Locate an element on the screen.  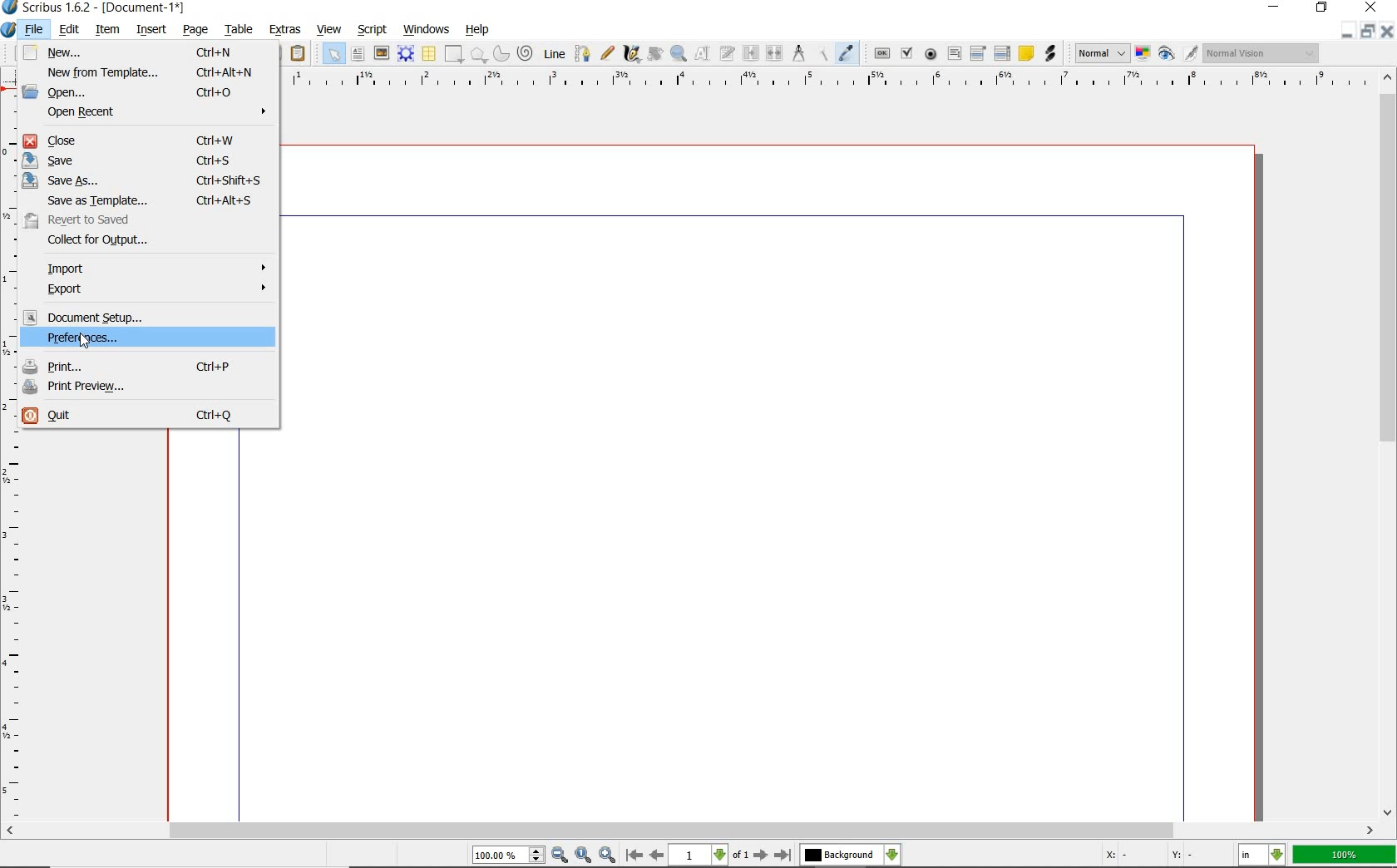
zoom in or zoom out is located at coordinates (679, 55).